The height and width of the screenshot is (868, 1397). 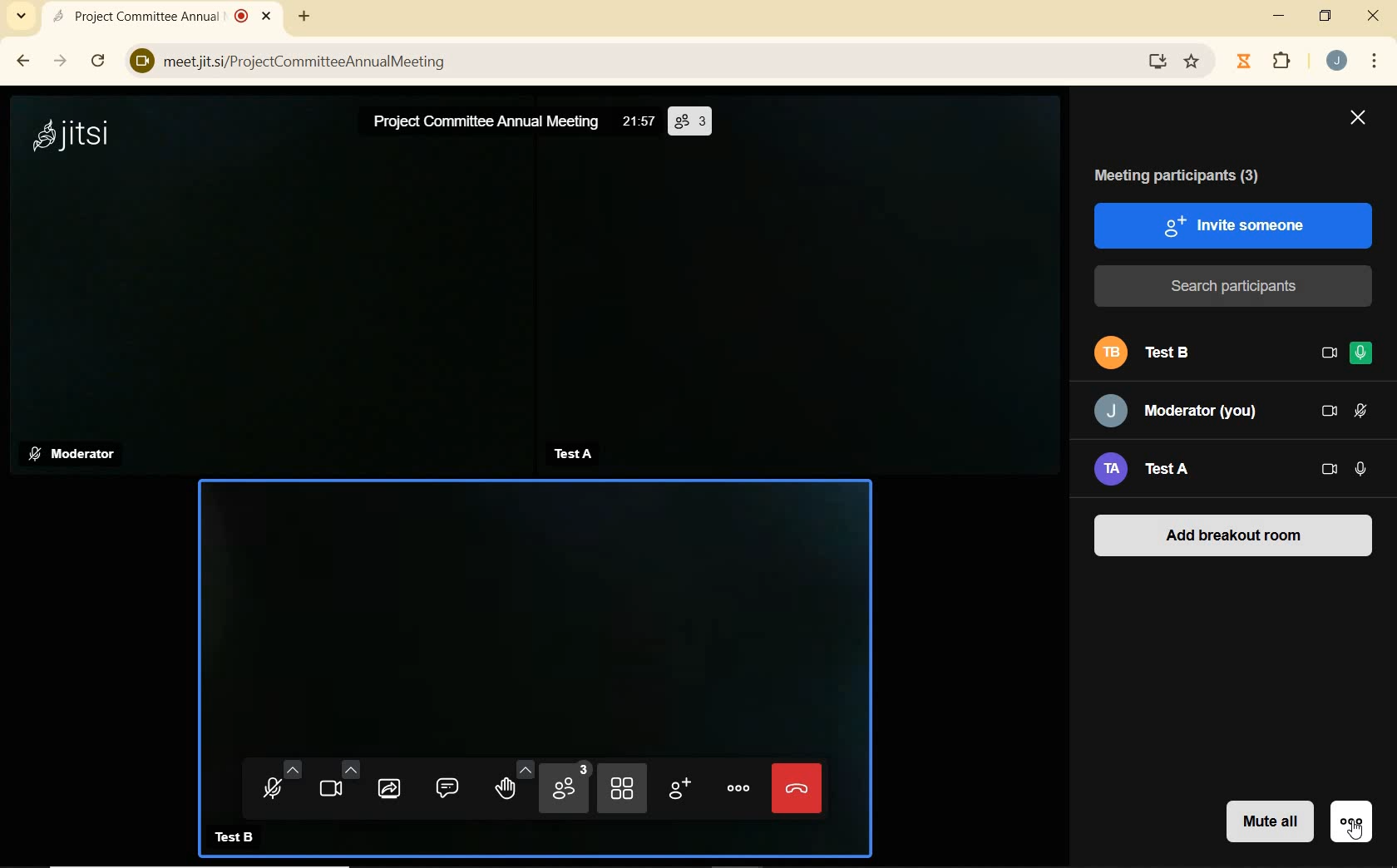 What do you see at coordinates (735, 788) in the screenshot?
I see `more action` at bounding box center [735, 788].